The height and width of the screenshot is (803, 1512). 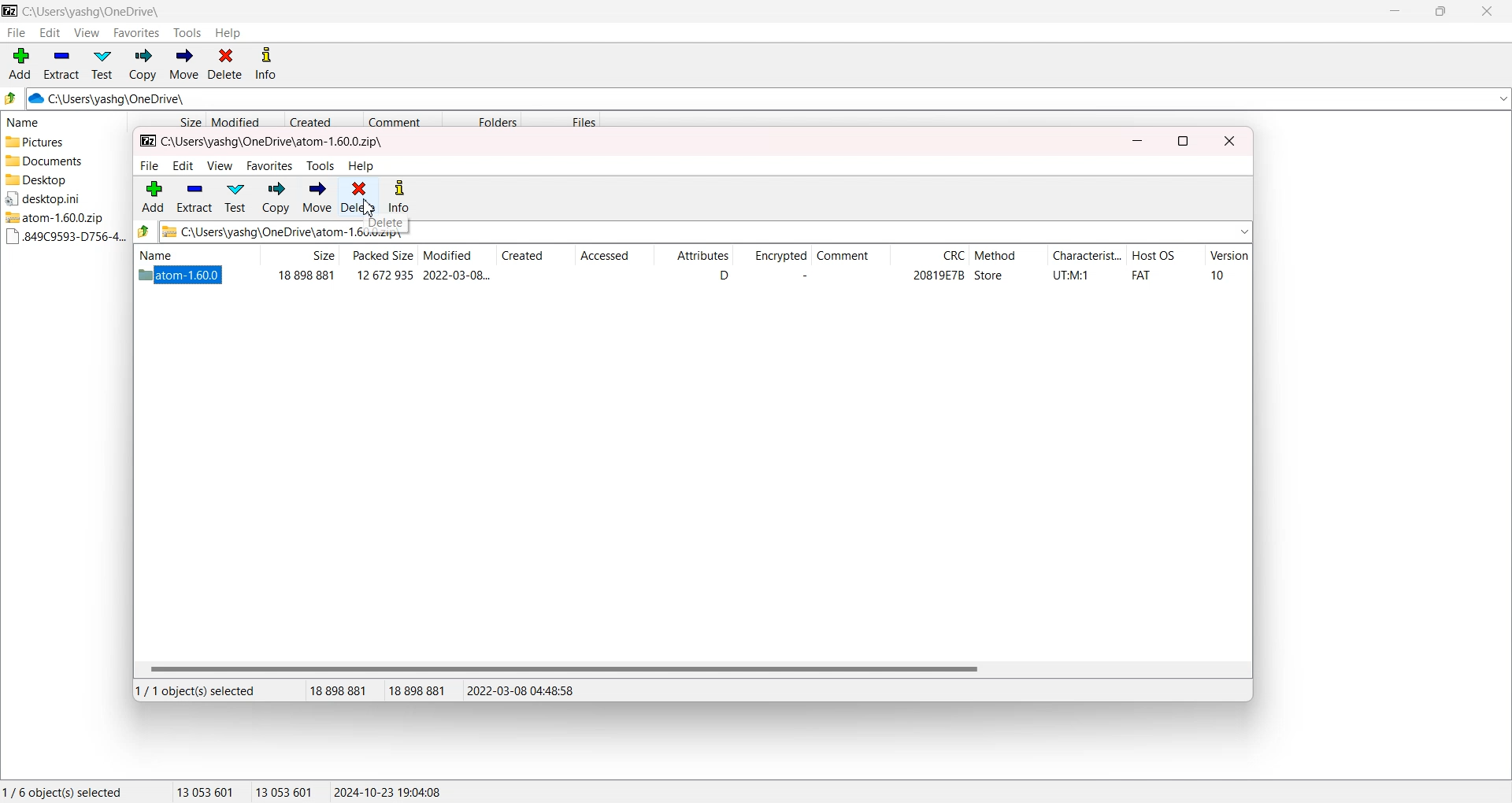 What do you see at coordinates (1087, 257) in the screenshot?
I see `Characteristics` at bounding box center [1087, 257].